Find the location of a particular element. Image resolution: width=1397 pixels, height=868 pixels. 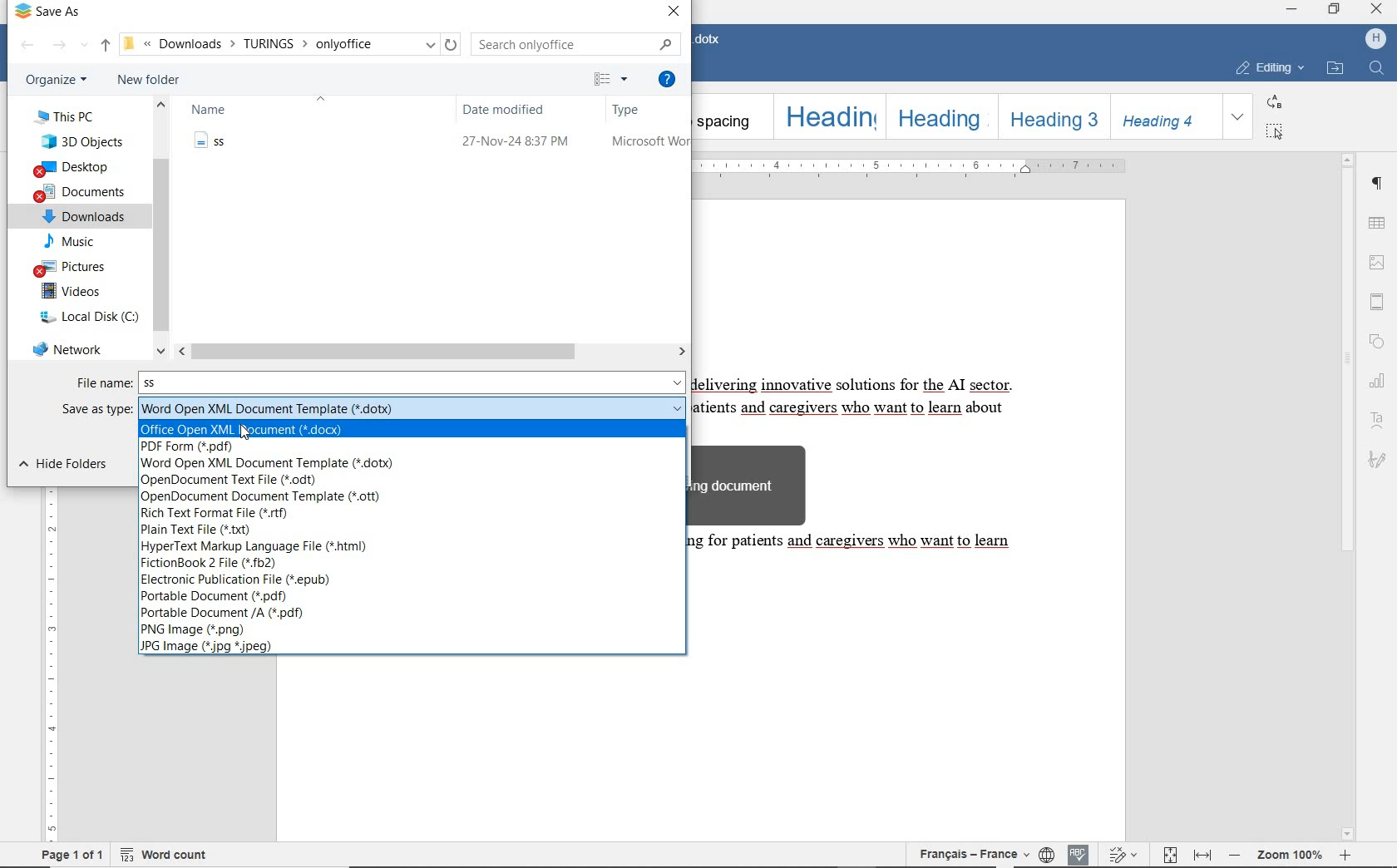

THIS PC is located at coordinates (76, 115).